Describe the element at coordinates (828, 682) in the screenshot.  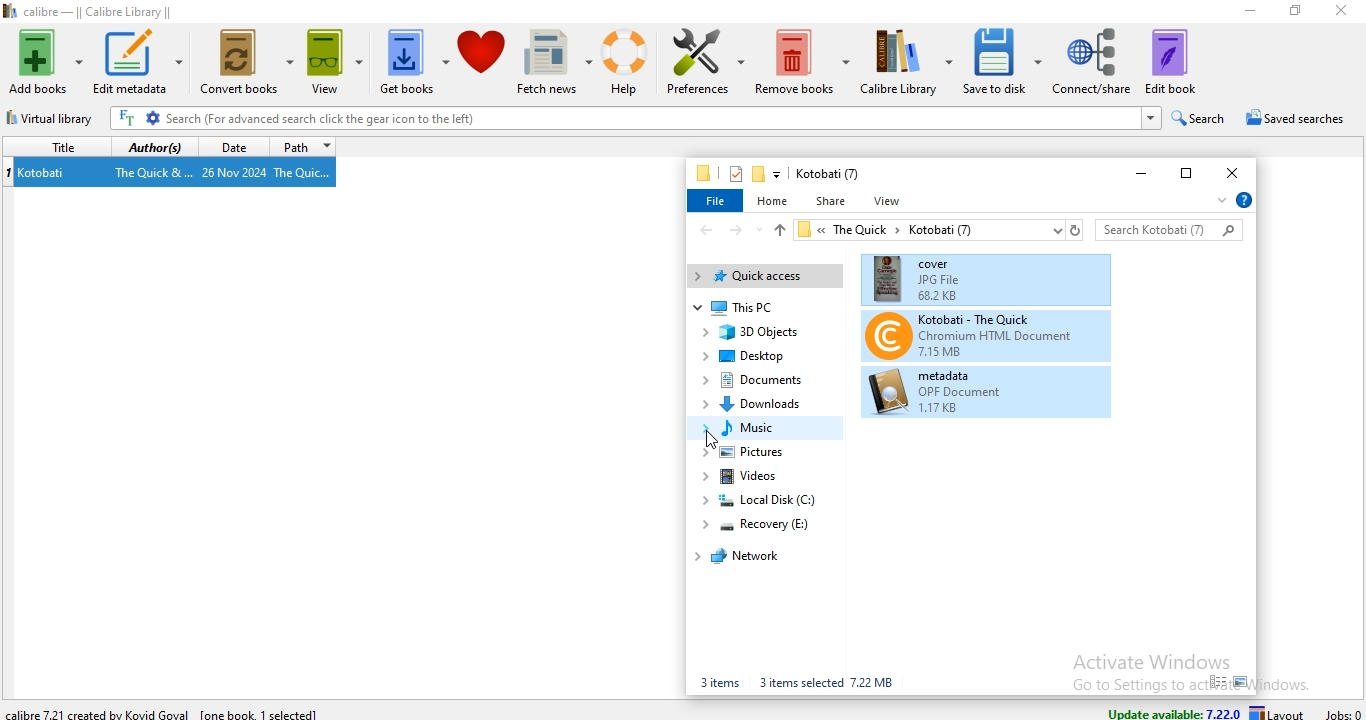
I see `3 items selected 7.22 MB` at that location.